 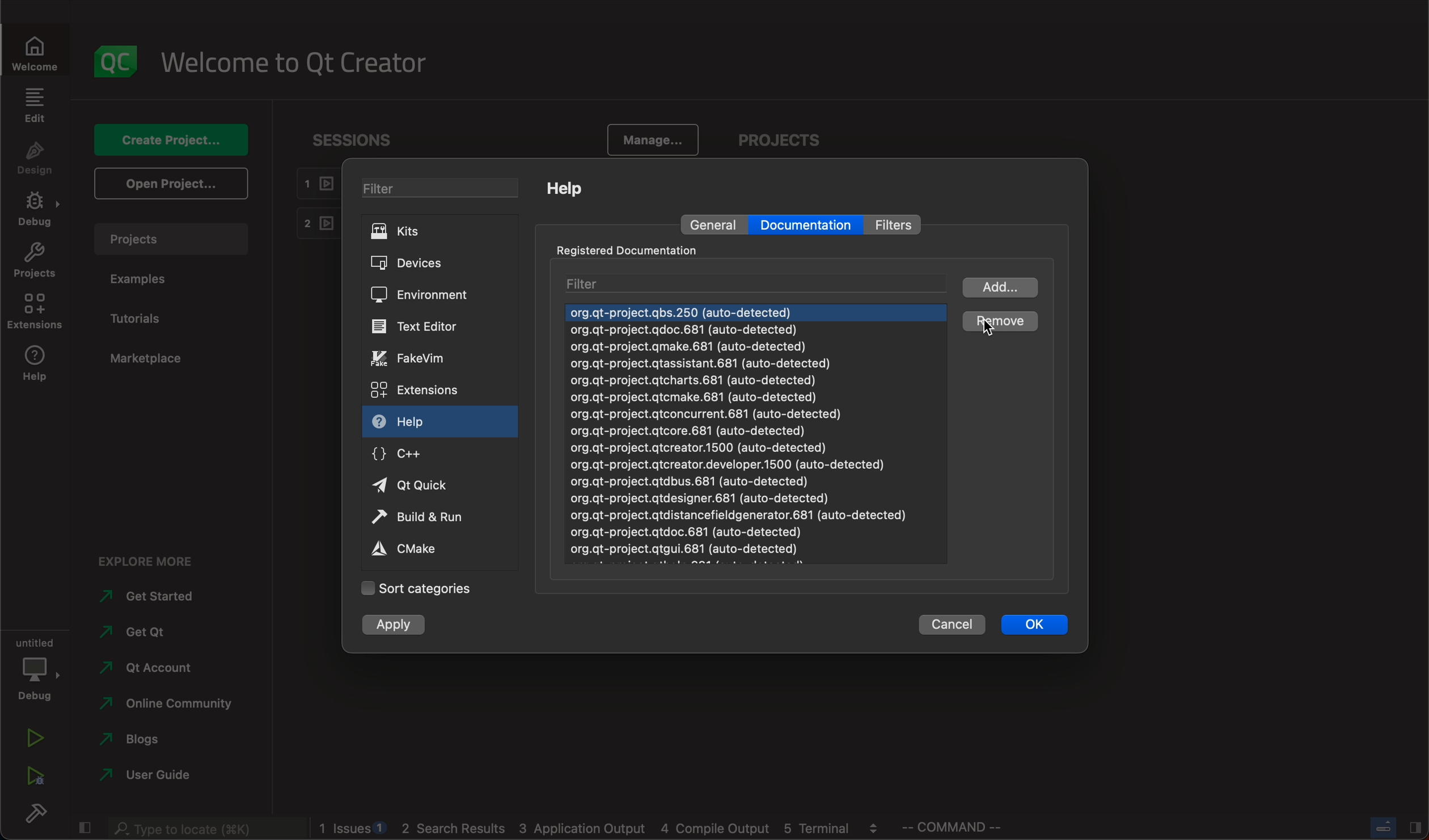 I want to click on guide, so click(x=146, y=775).